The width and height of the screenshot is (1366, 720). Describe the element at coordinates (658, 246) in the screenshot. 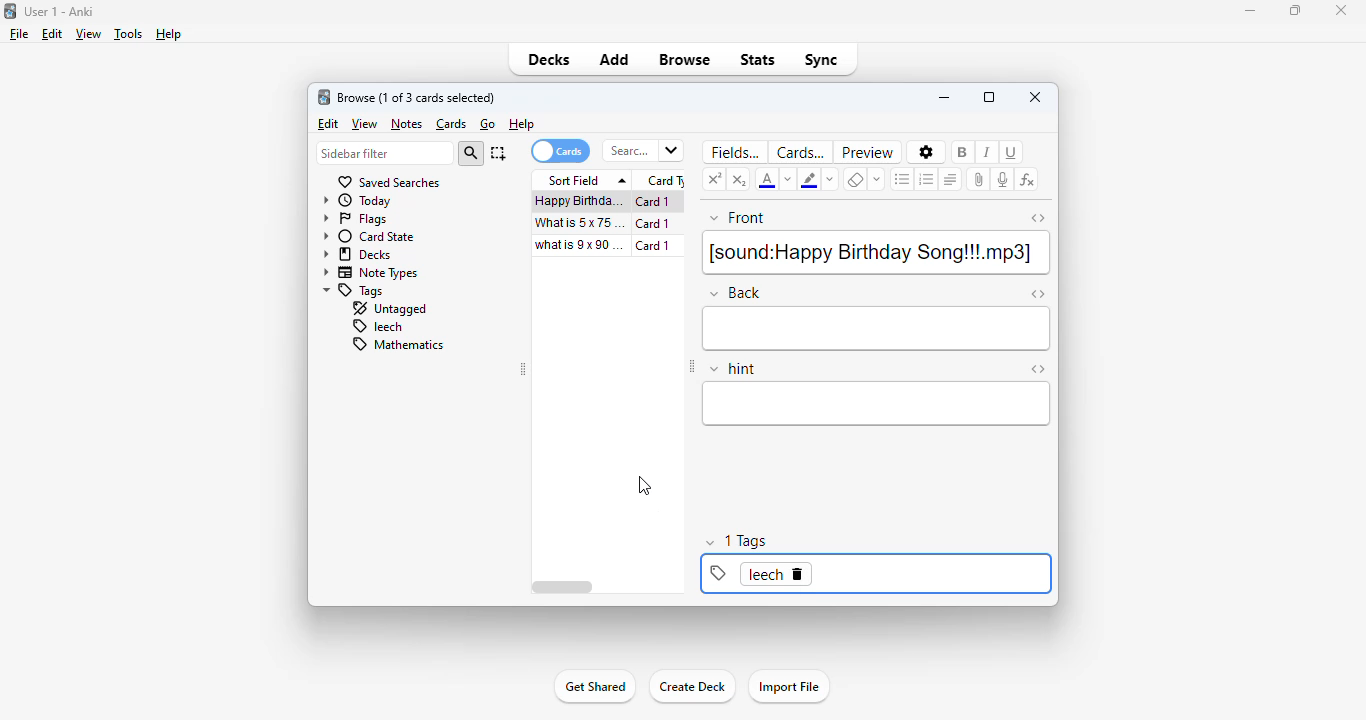

I see `card 1` at that location.